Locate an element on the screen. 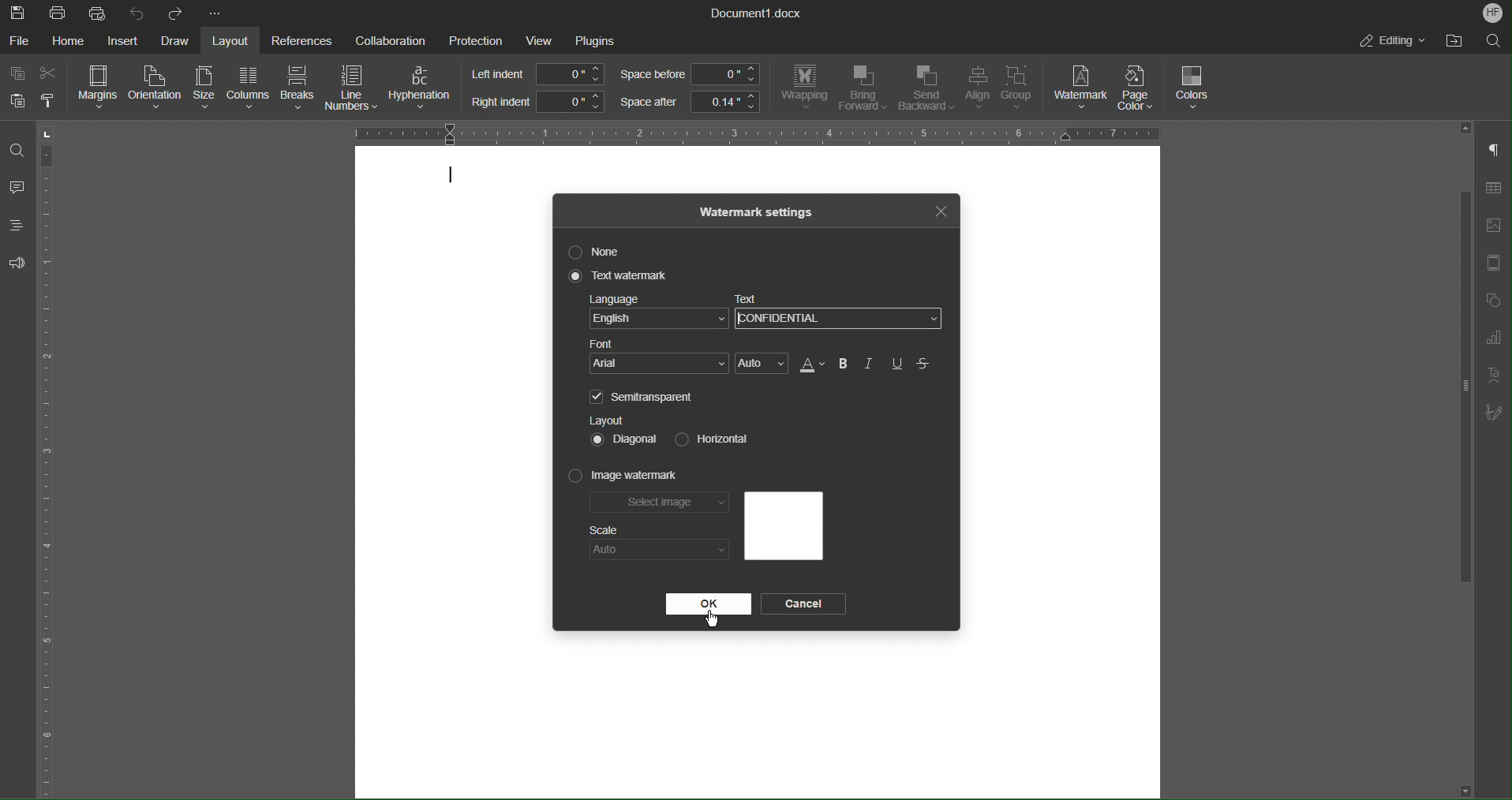 This screenshot has width=1512, height=800. Print is located at coordinates (59, 13).